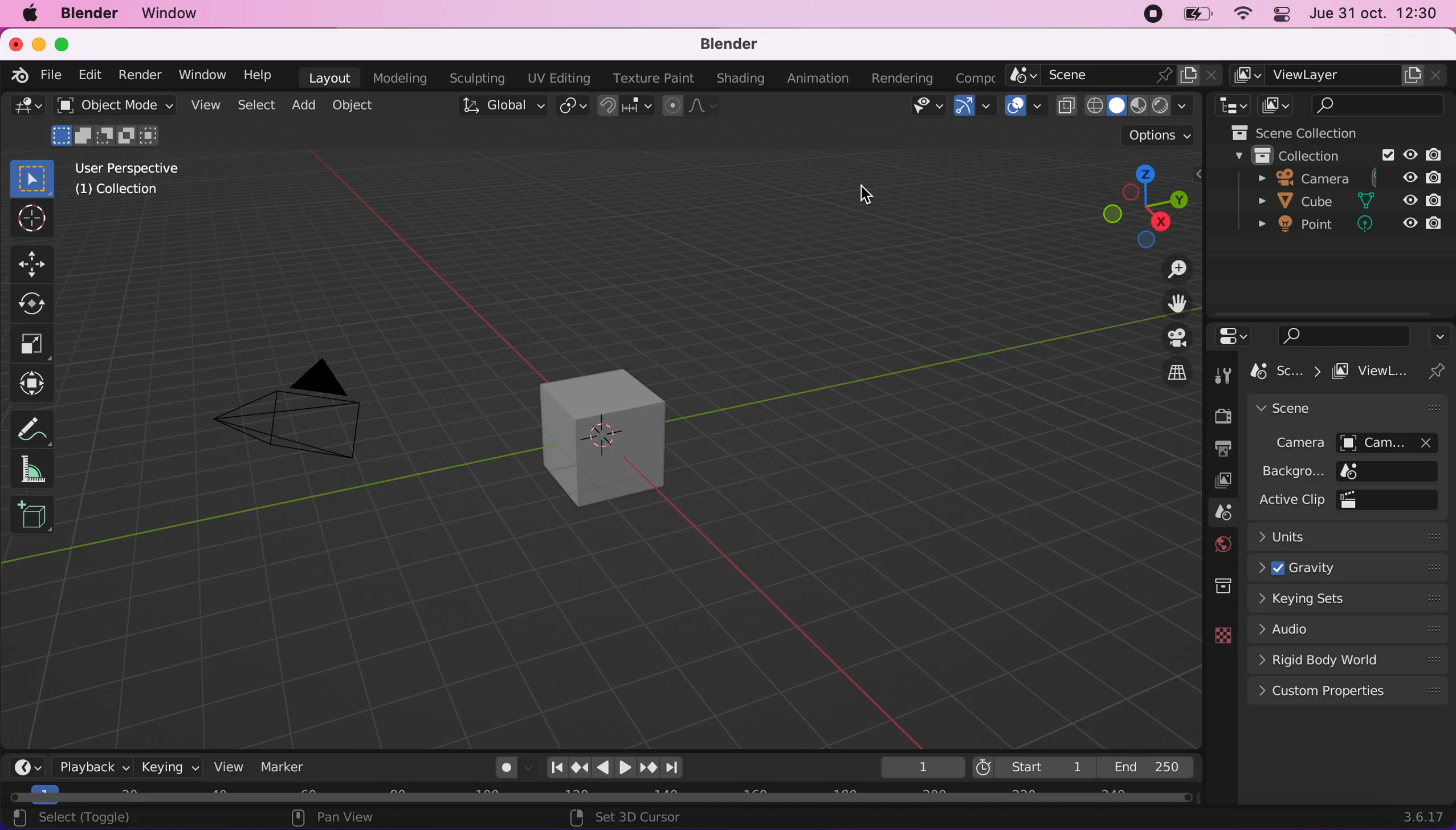  Describe the element at coordinates (288, 767) in the screenshot. I see `marker` at that location.